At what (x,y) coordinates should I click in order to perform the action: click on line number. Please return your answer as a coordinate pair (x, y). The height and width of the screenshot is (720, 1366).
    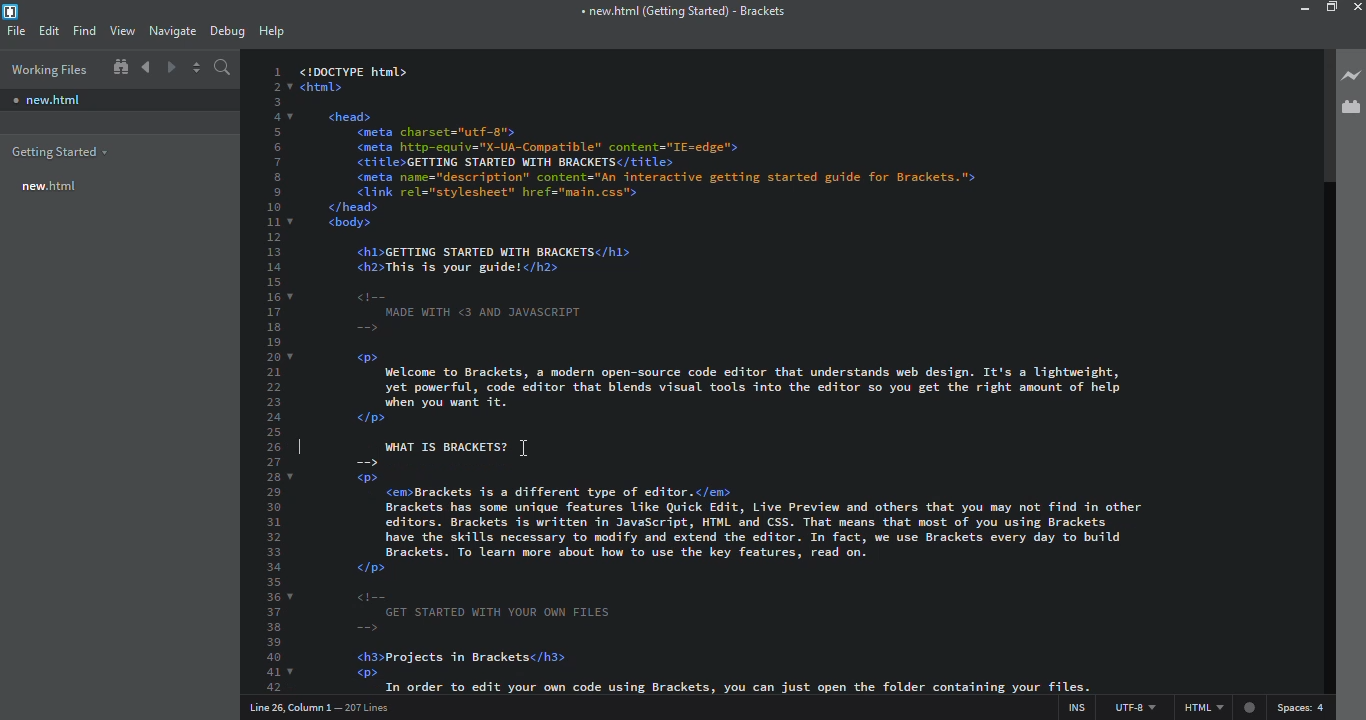
    Looking at the image, I should click on (278, 377).